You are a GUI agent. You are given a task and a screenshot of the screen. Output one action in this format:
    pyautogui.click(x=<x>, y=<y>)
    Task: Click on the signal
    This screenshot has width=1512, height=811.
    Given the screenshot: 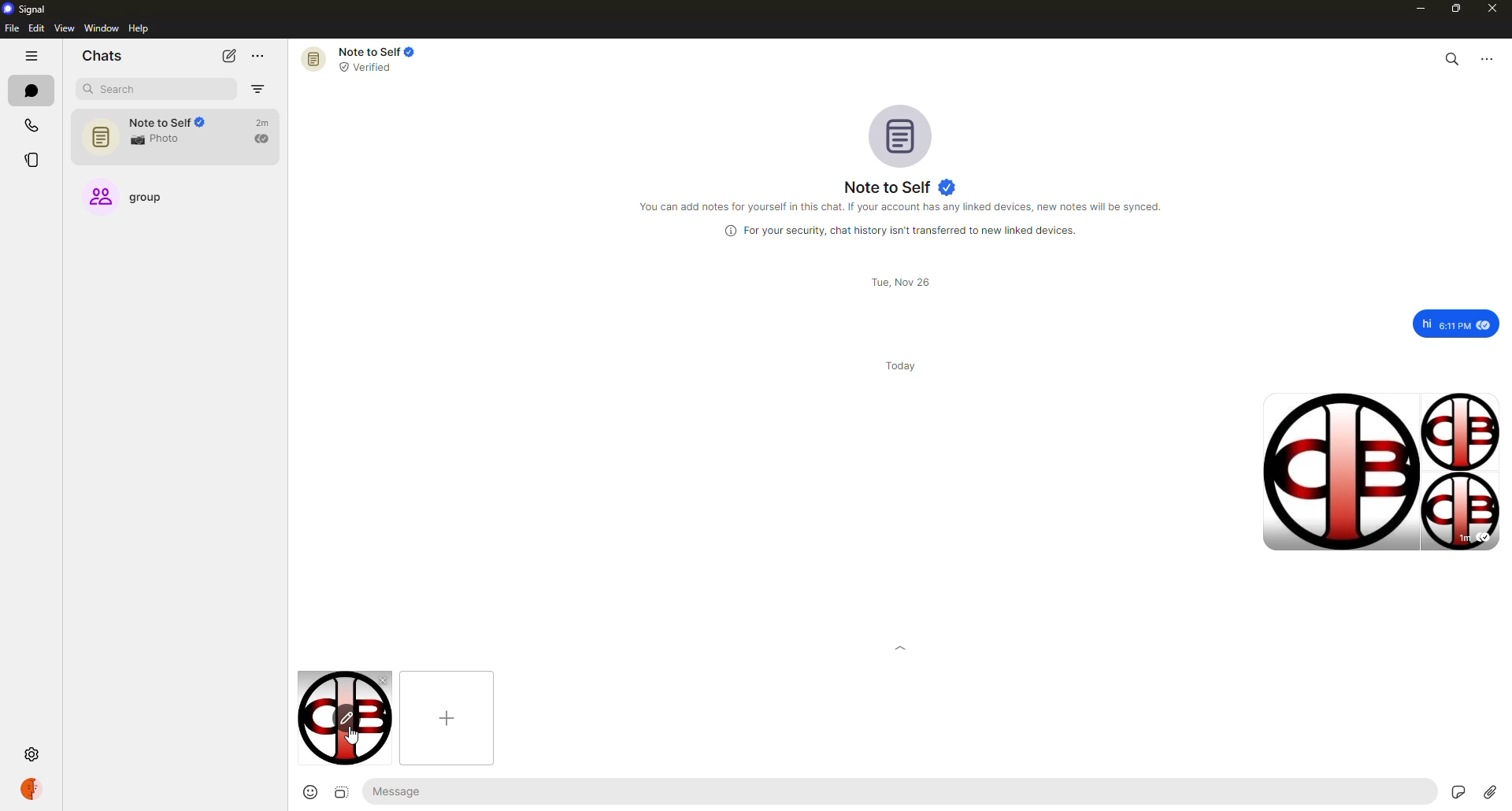 What is the action you would take?
    pyautogui.click(x=25, y=10)
    